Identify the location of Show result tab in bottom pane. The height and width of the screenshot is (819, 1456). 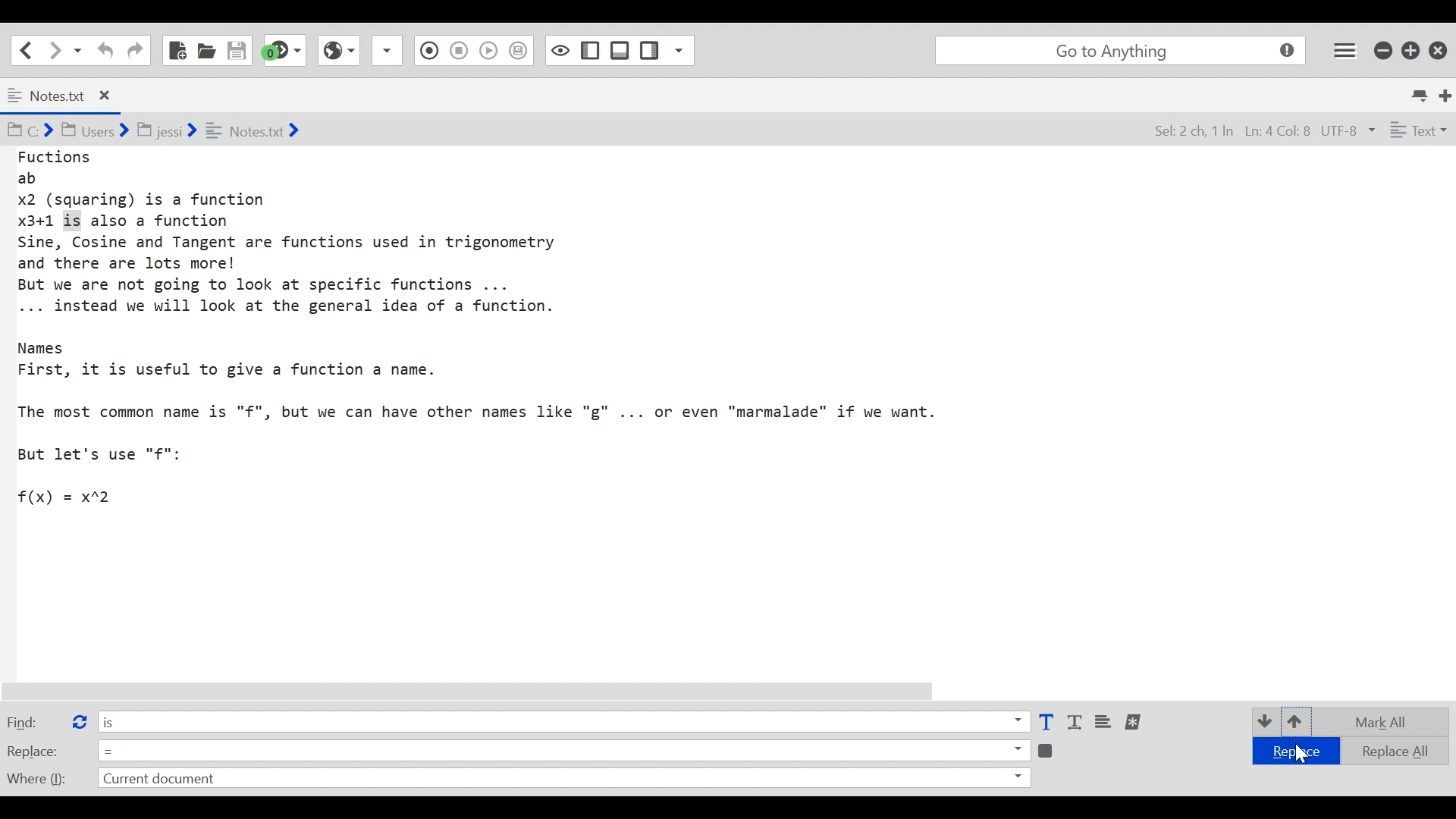
(1048, 749).